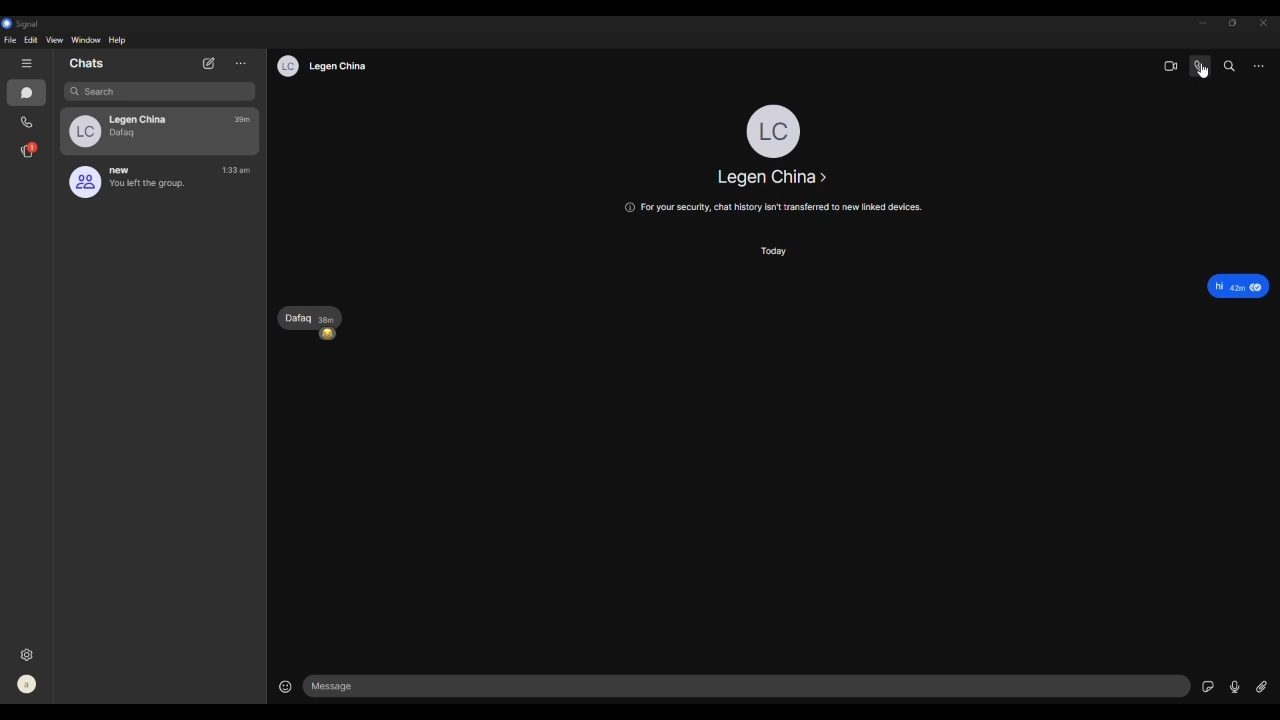  I want to click on today, so click(777, 249).